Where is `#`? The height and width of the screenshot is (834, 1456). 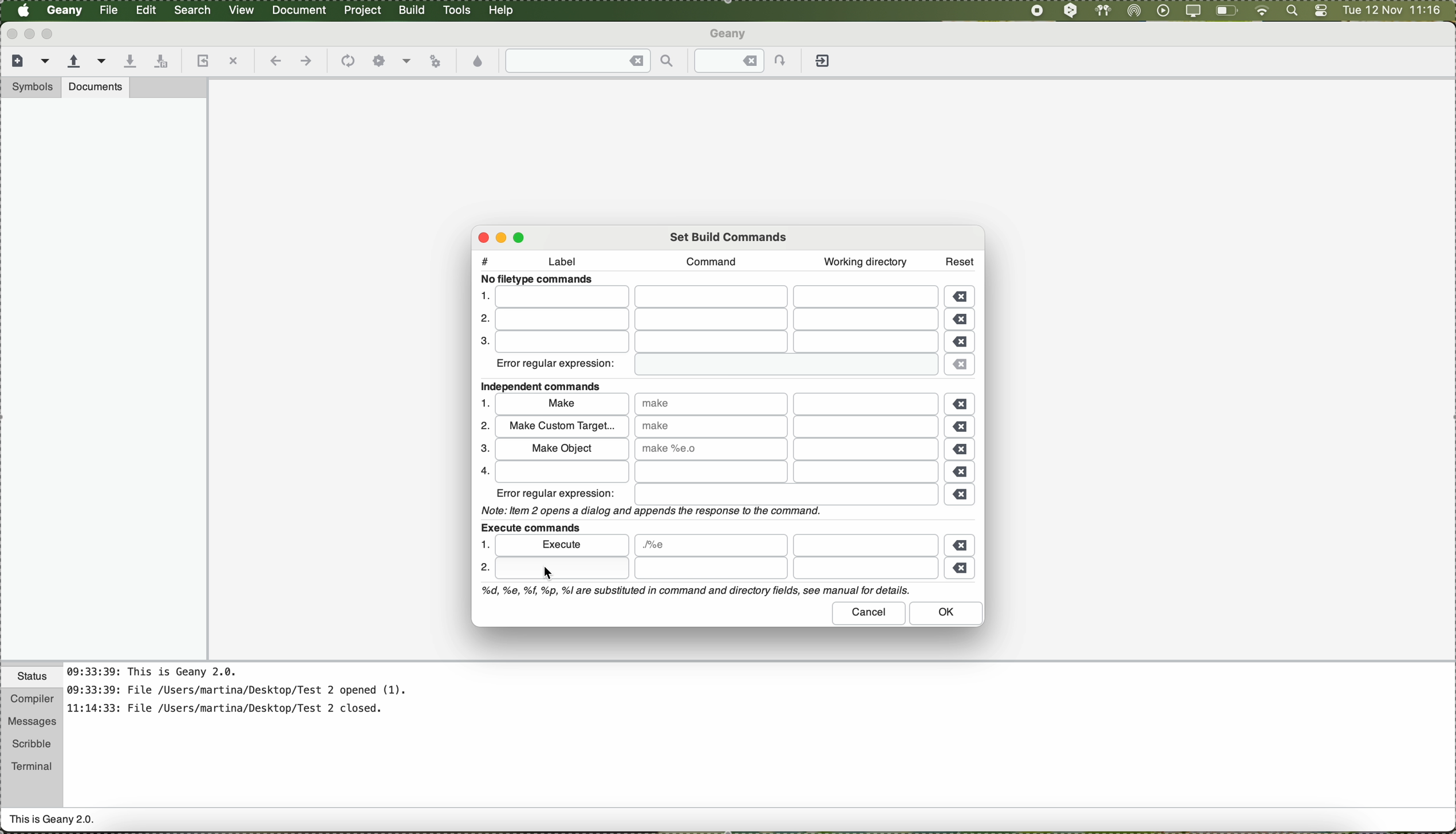
# is located at coordinates (485, 258).